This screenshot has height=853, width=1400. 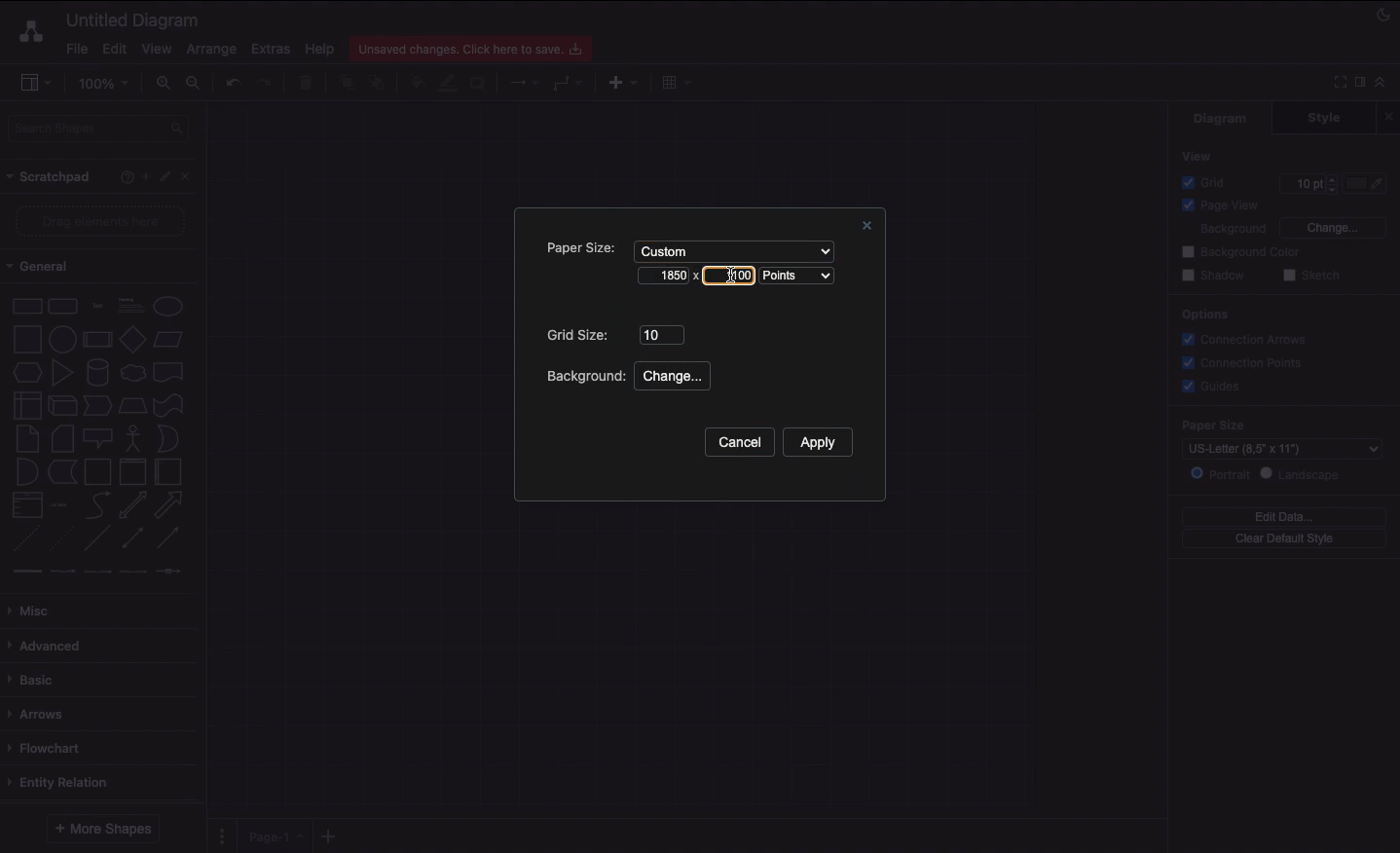 I want to click on Edit, so click(x=112, y=49).